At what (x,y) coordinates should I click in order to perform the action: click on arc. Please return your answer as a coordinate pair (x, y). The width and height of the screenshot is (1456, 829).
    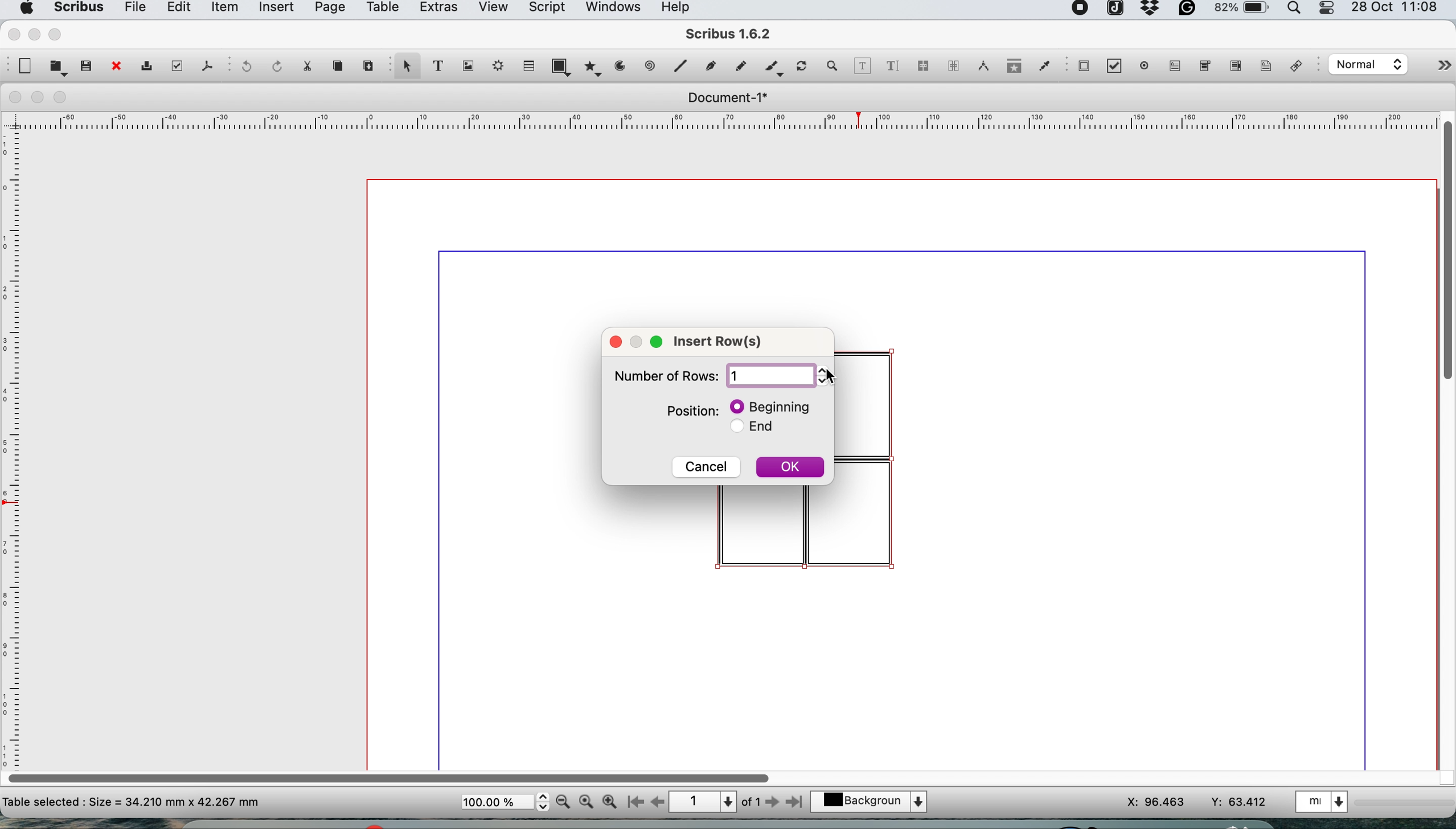
    Looking at the image, I should click on (624, 66).